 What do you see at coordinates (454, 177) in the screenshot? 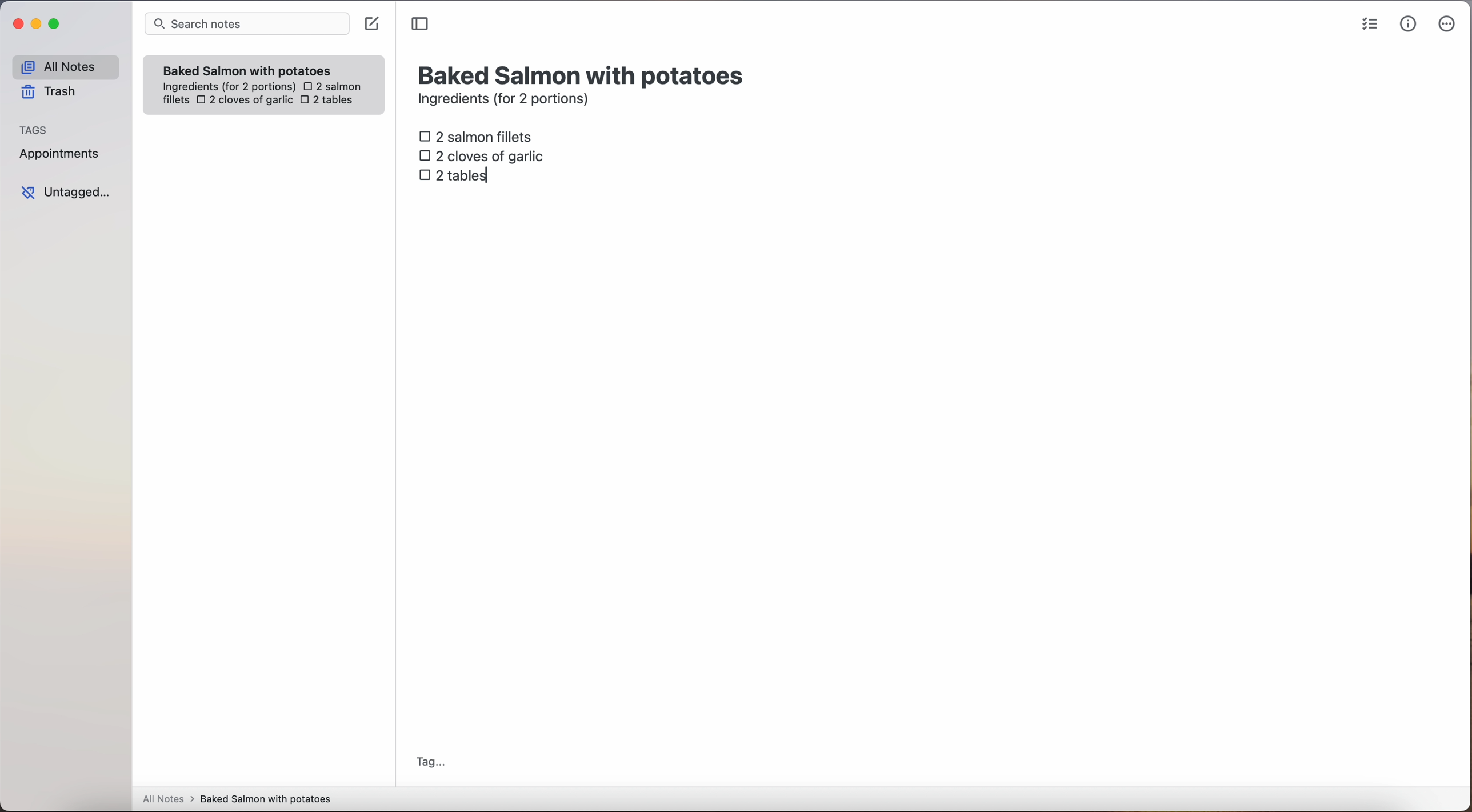
I see `2 tables` at bounding box center [454, 177].